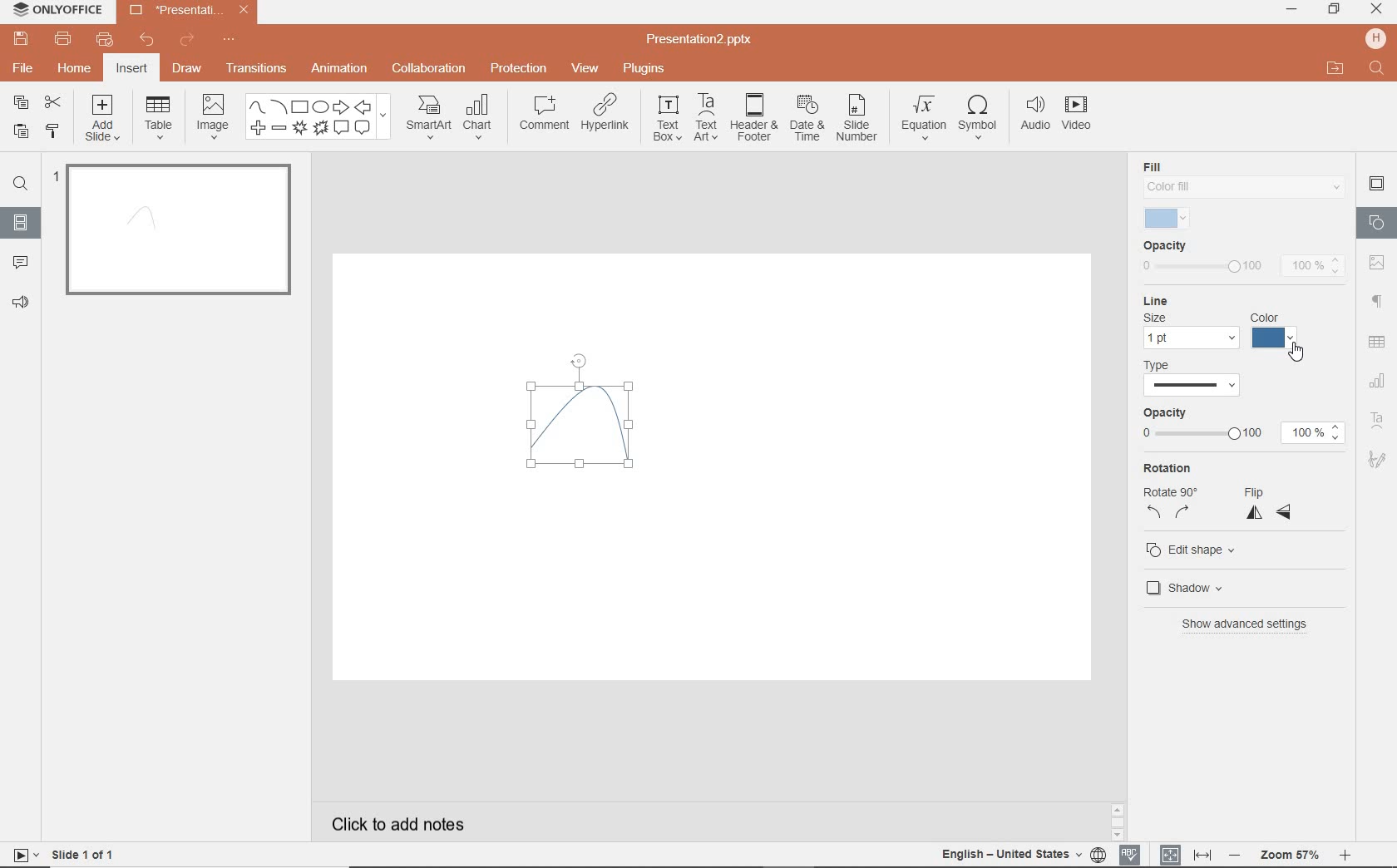  Describe the element at coordinates (18, 261) in the screenshot. I see `COMMENTS` at that location.